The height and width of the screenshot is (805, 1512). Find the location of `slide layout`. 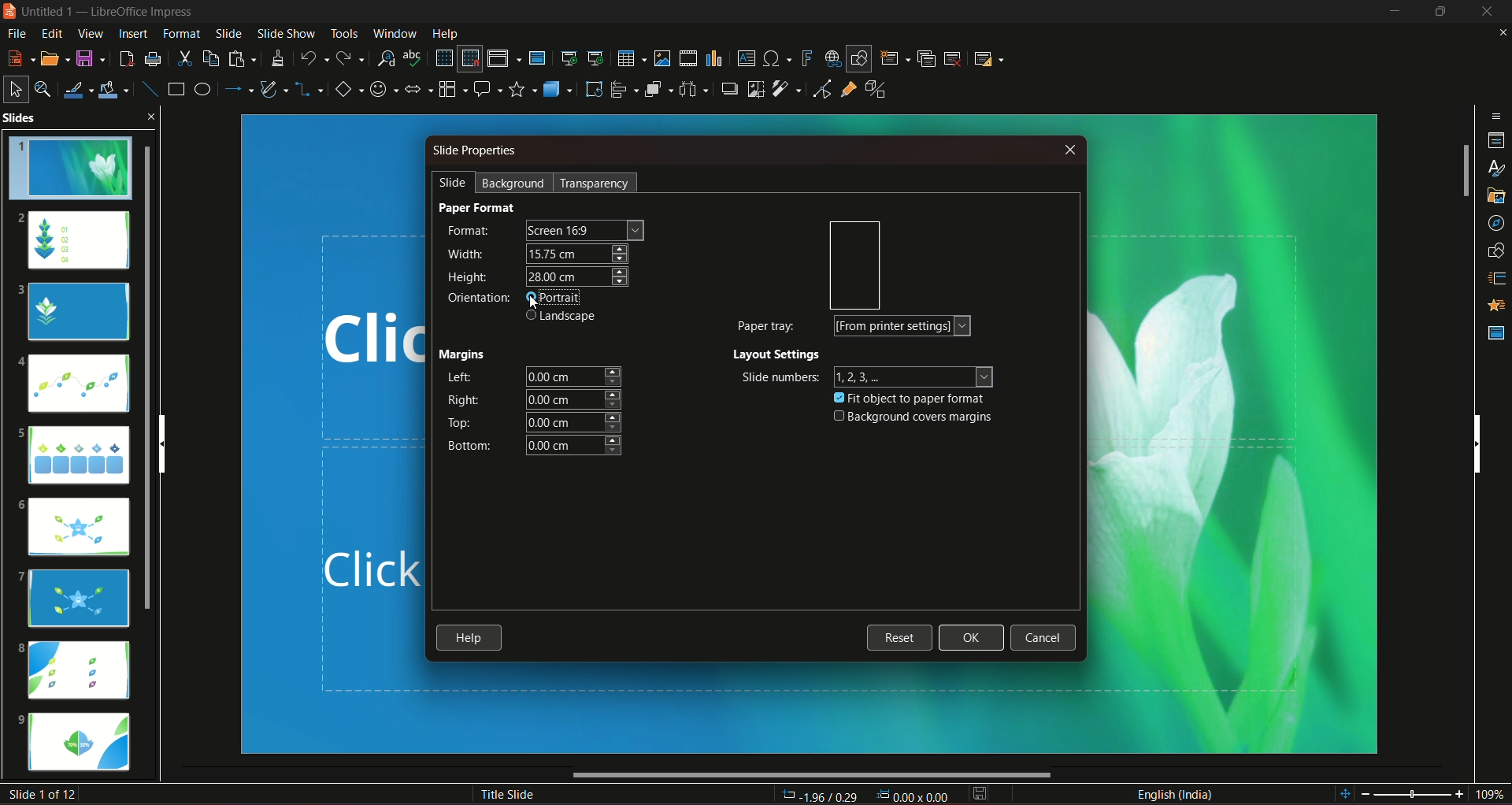

slide layout is located at coordinates (991, 57).